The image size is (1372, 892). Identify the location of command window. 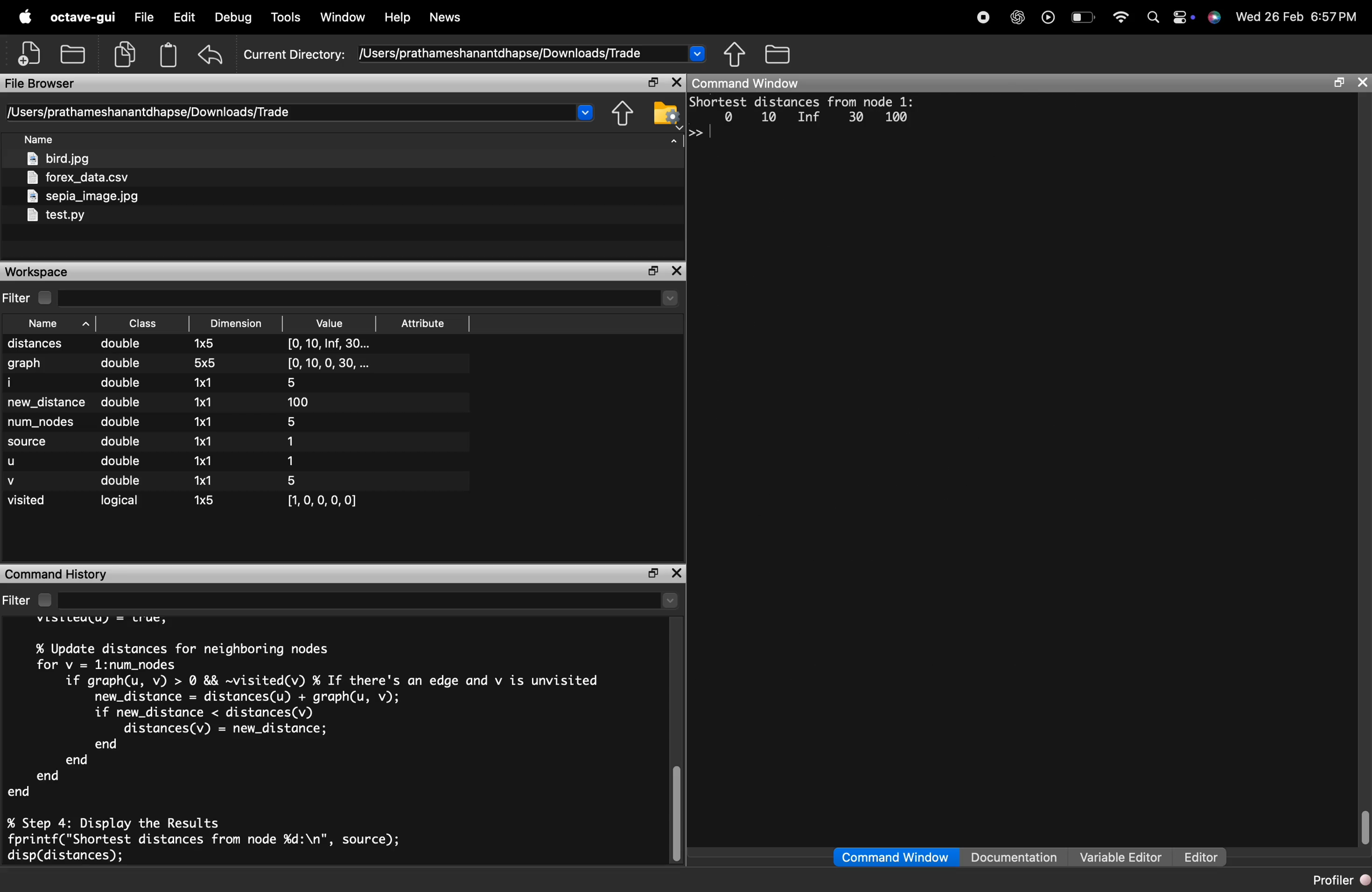
(895, 857).